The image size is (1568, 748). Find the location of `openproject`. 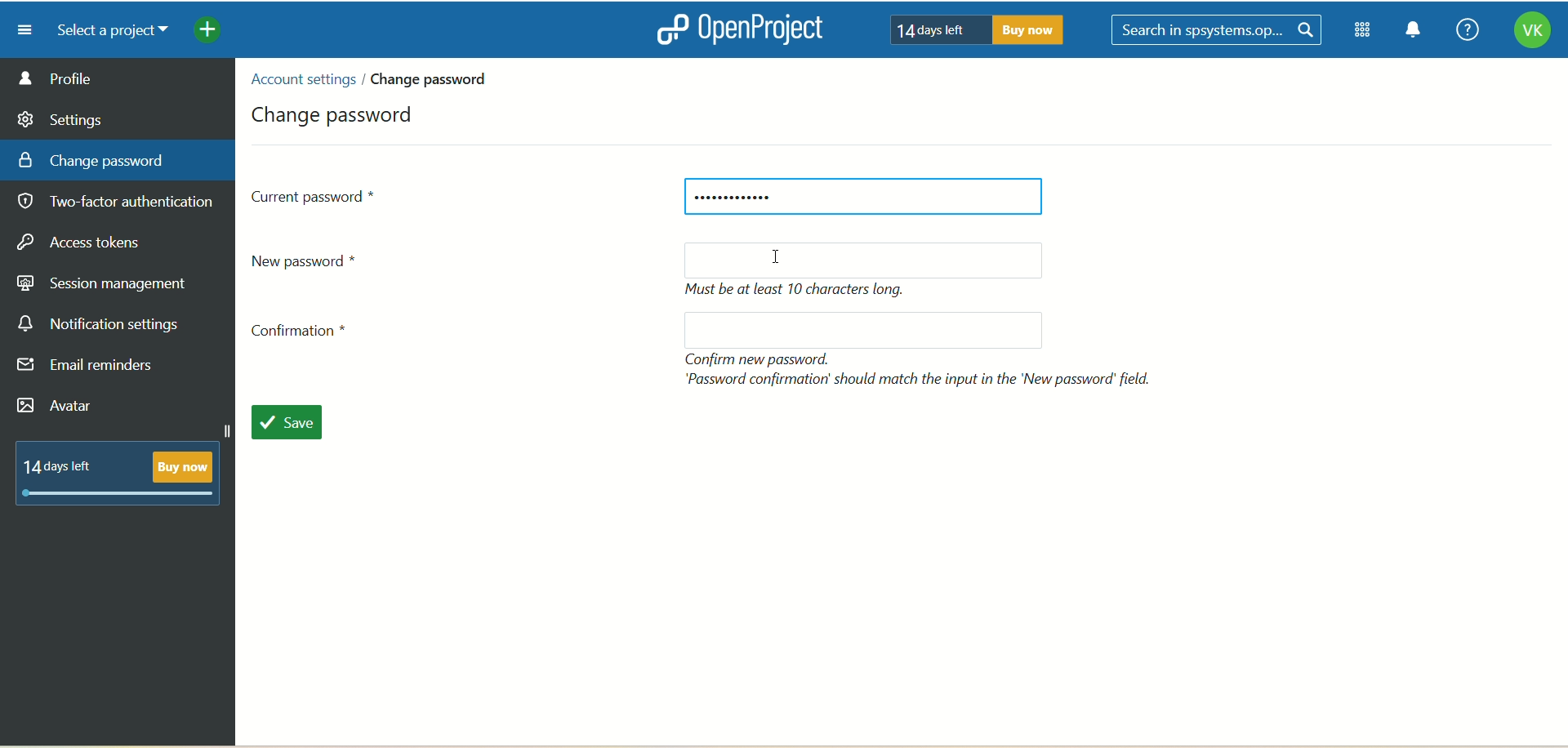

openproject is located at coordinates (736, 29).